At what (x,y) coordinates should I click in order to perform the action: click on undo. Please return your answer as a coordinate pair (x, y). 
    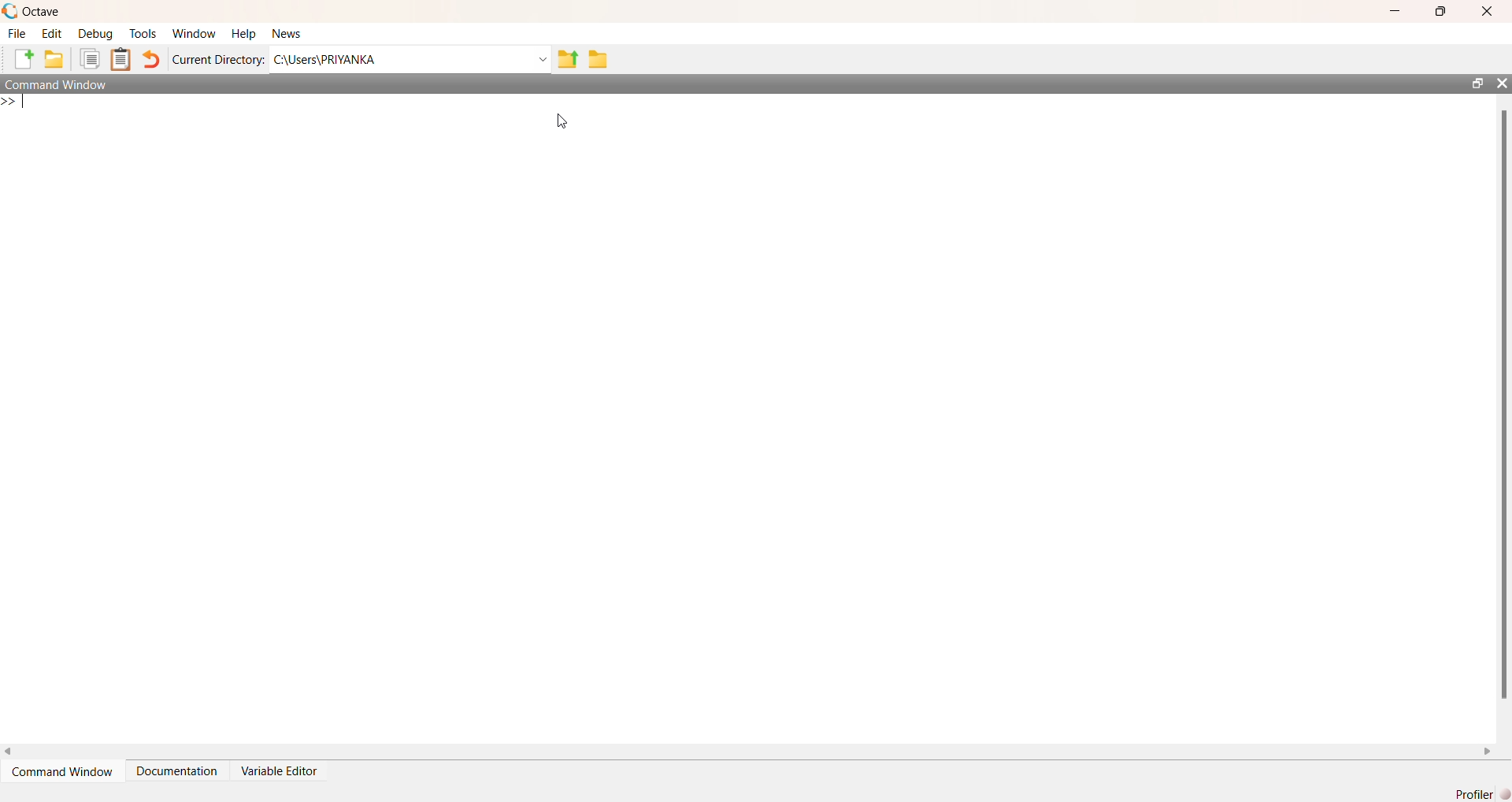
    Looking at the image, I should click on (153, 62).